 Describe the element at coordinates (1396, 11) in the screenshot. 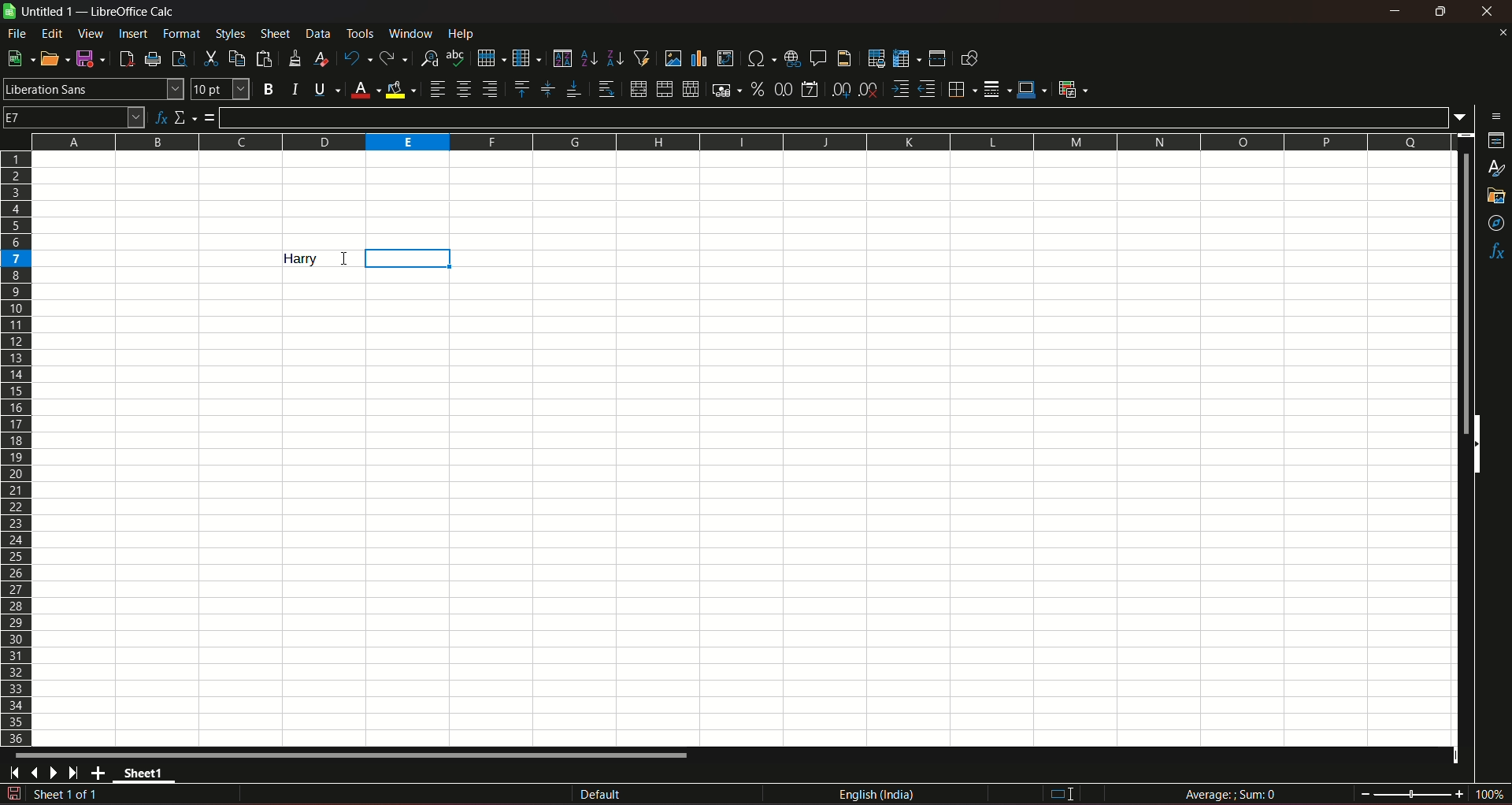

I see `minimize` at that location.